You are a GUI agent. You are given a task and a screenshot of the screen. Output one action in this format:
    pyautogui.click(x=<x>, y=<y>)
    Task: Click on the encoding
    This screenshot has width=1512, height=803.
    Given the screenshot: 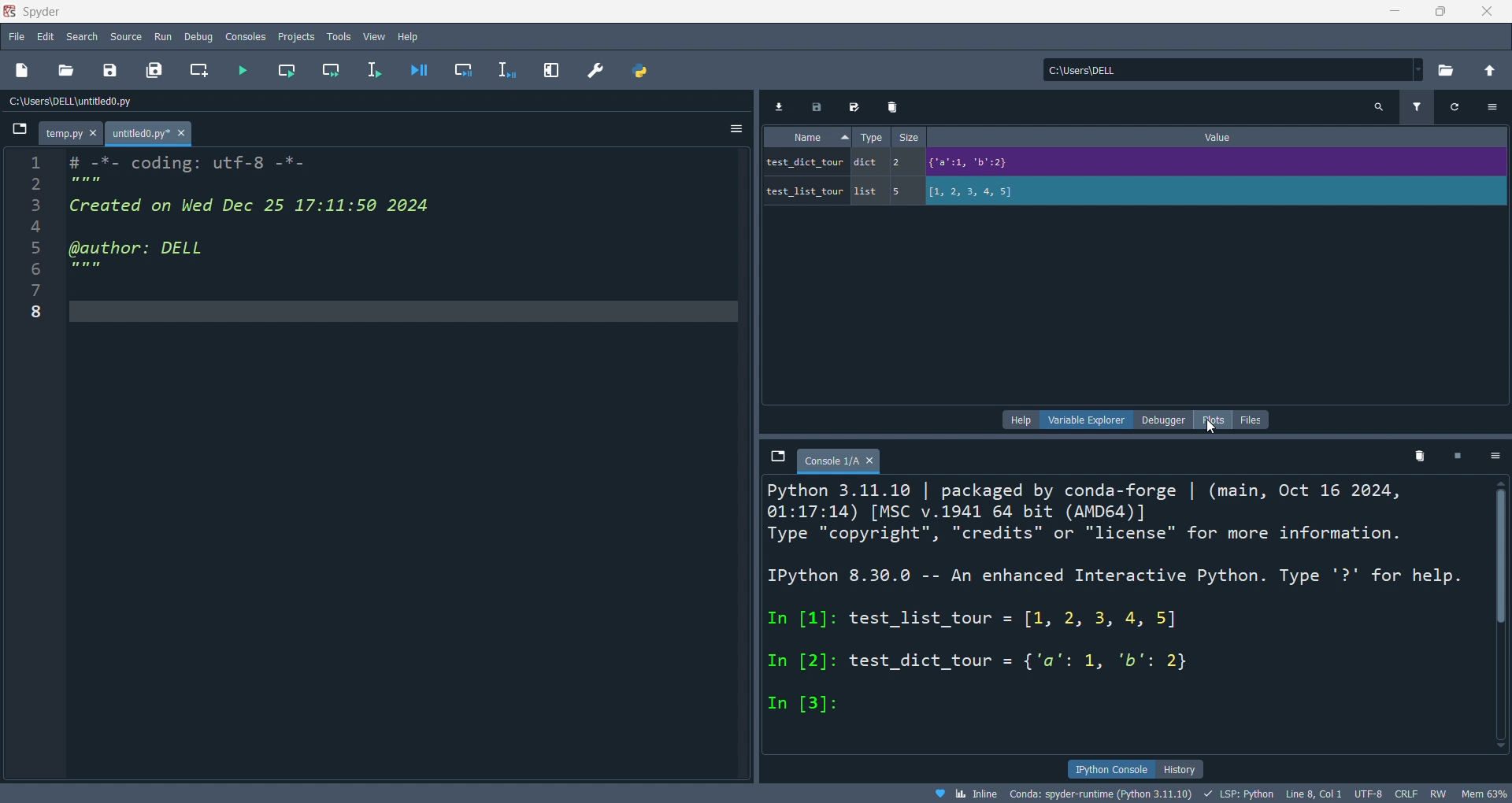 What is the action you would take?
    pyautogui.click(x=1366, y=792)
    